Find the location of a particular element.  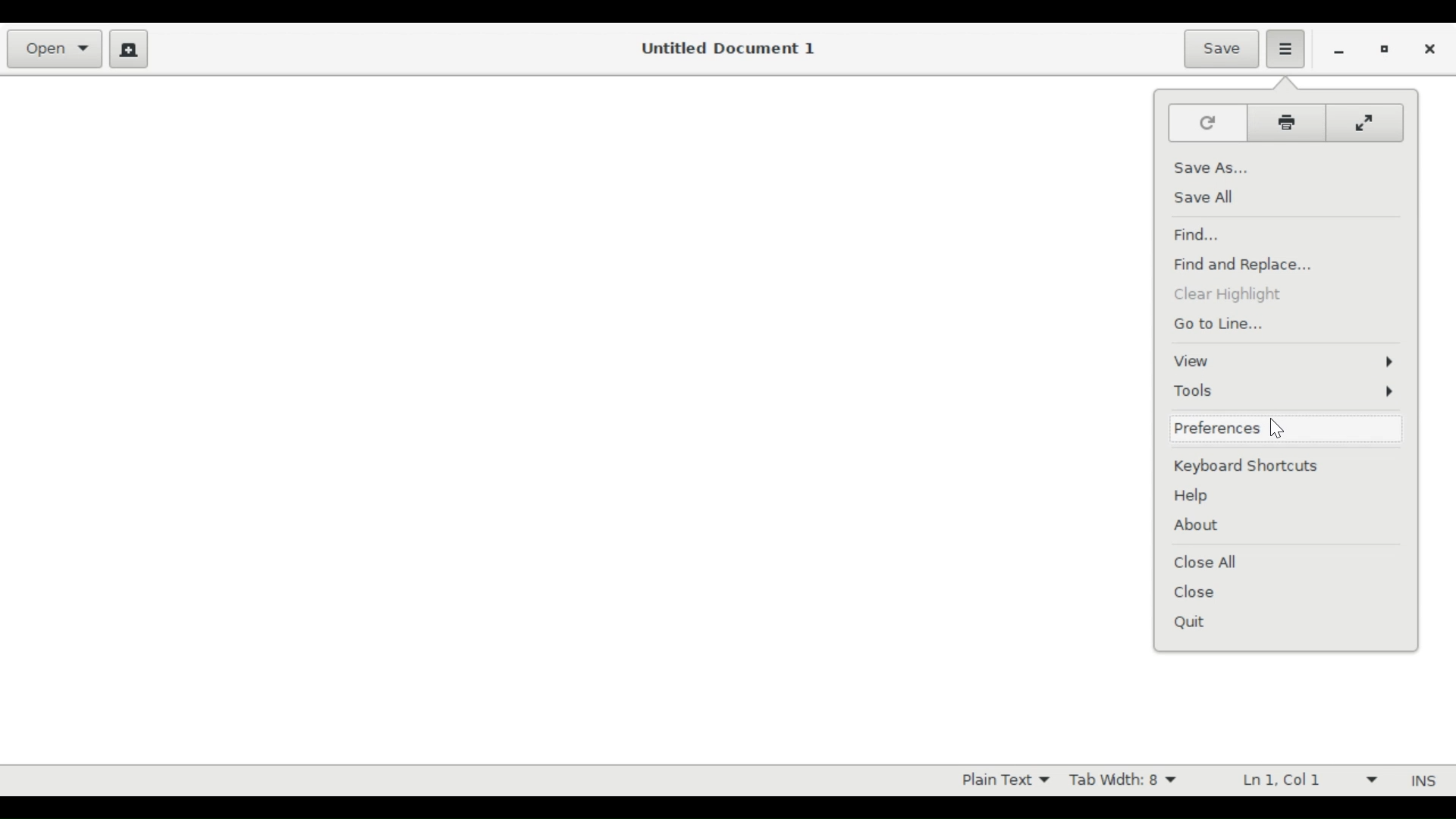

Print is located at coordinates (1287, 123).